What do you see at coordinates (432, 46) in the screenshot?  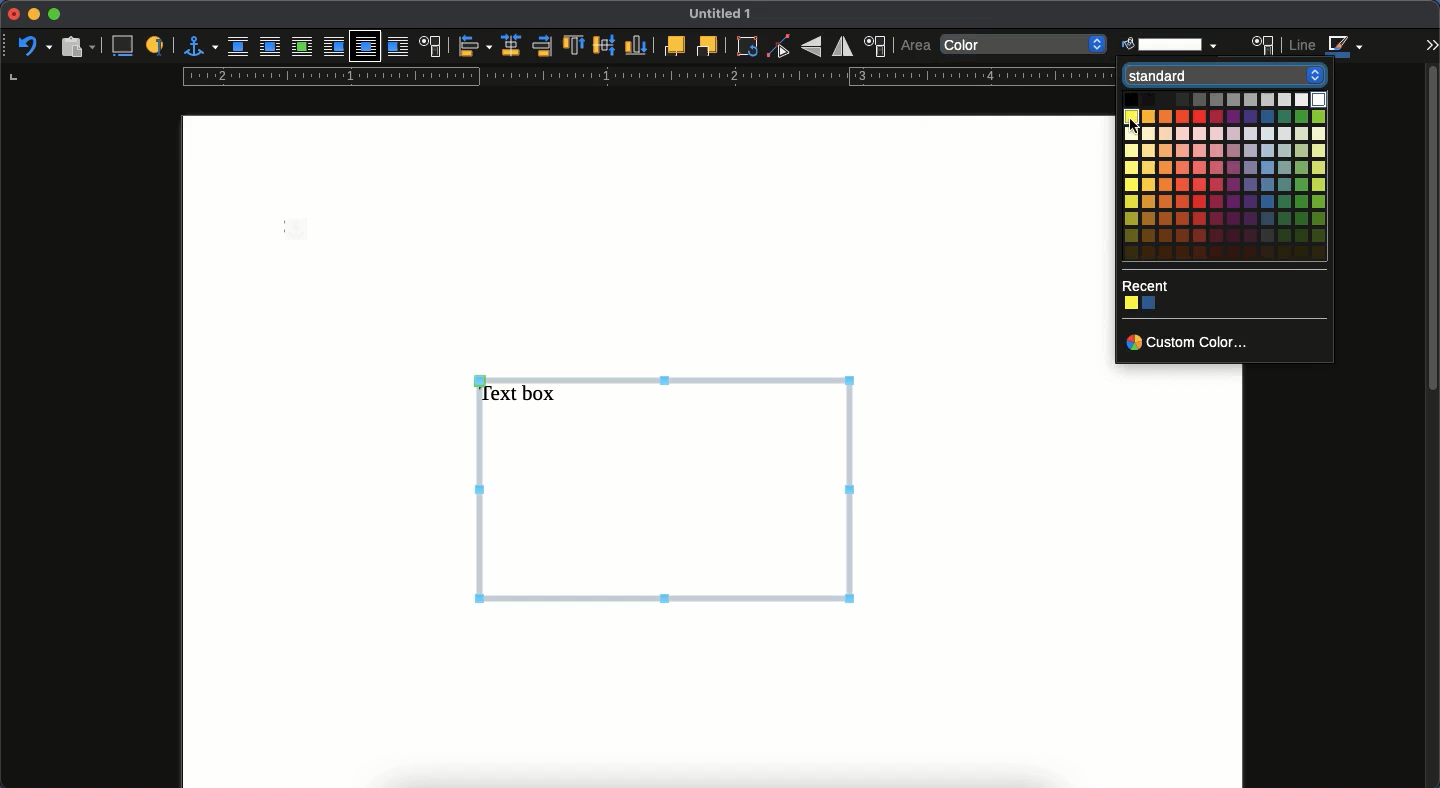 I see `text wrap` at bounding box center [432, 46].